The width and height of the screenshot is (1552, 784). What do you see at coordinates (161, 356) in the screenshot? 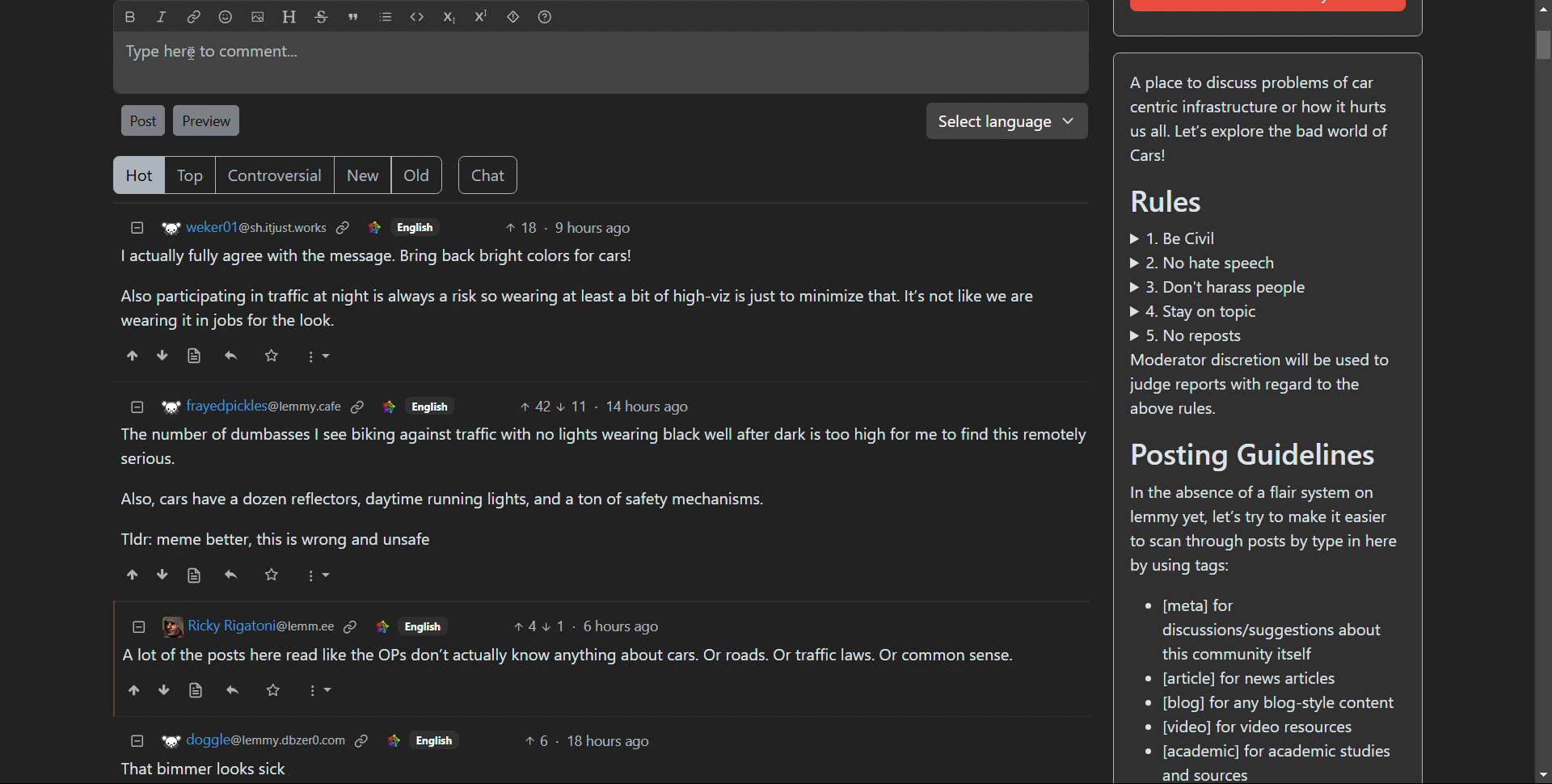
I see `downvote` at bounding box center [161, 356].